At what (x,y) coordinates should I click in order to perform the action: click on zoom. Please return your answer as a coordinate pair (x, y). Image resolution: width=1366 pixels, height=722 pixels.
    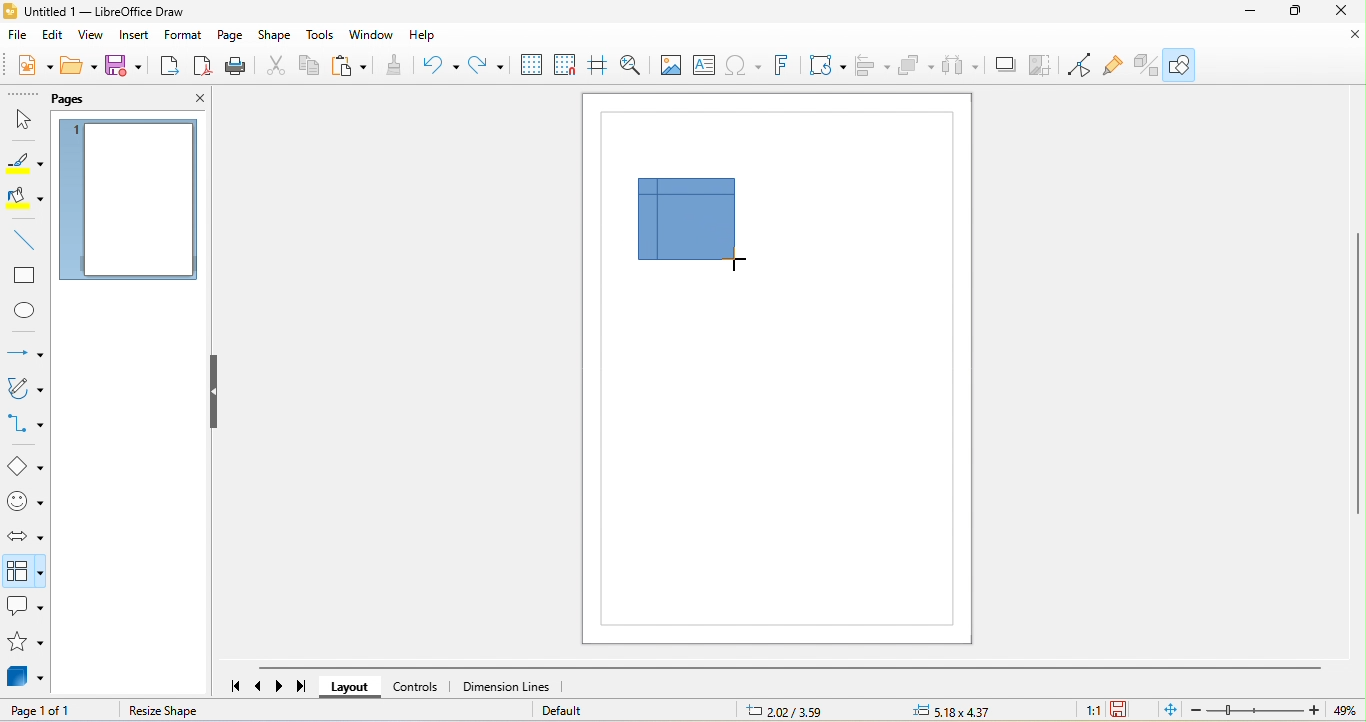
    Looking at the image, I should click on (1255, 709).